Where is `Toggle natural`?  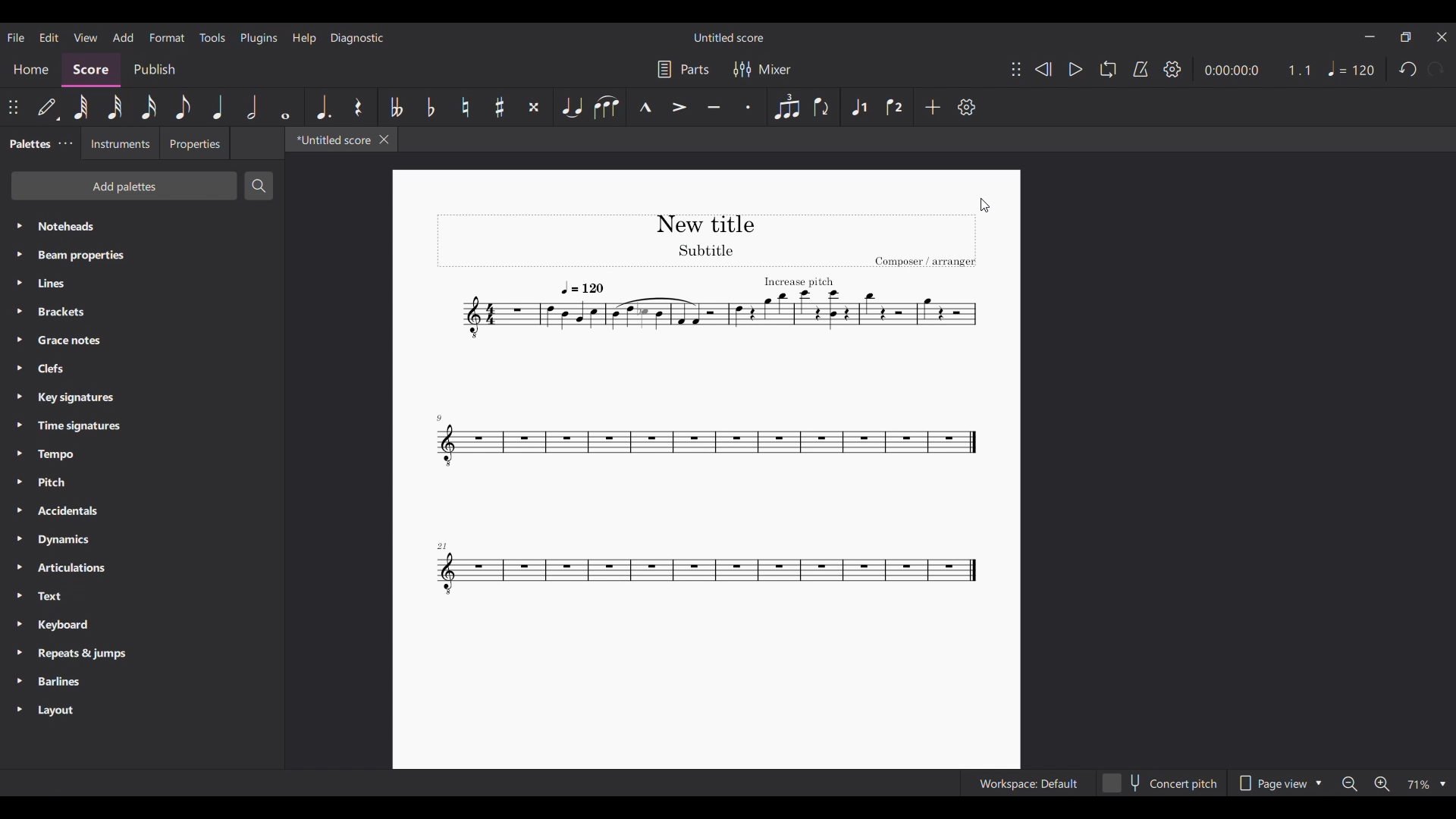 Toggle natural is located at coordinates (465, 107).